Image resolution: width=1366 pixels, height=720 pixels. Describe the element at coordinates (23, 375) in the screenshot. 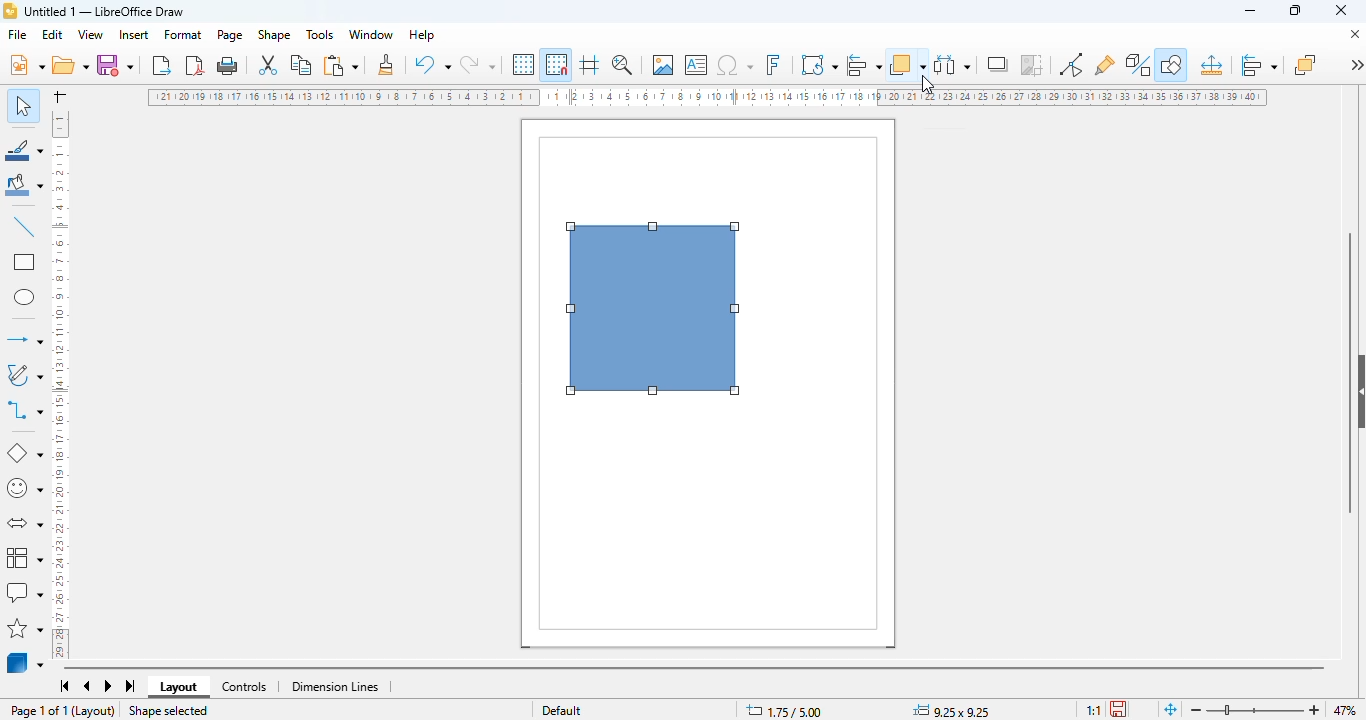

I see `curves and polygons` at that location.